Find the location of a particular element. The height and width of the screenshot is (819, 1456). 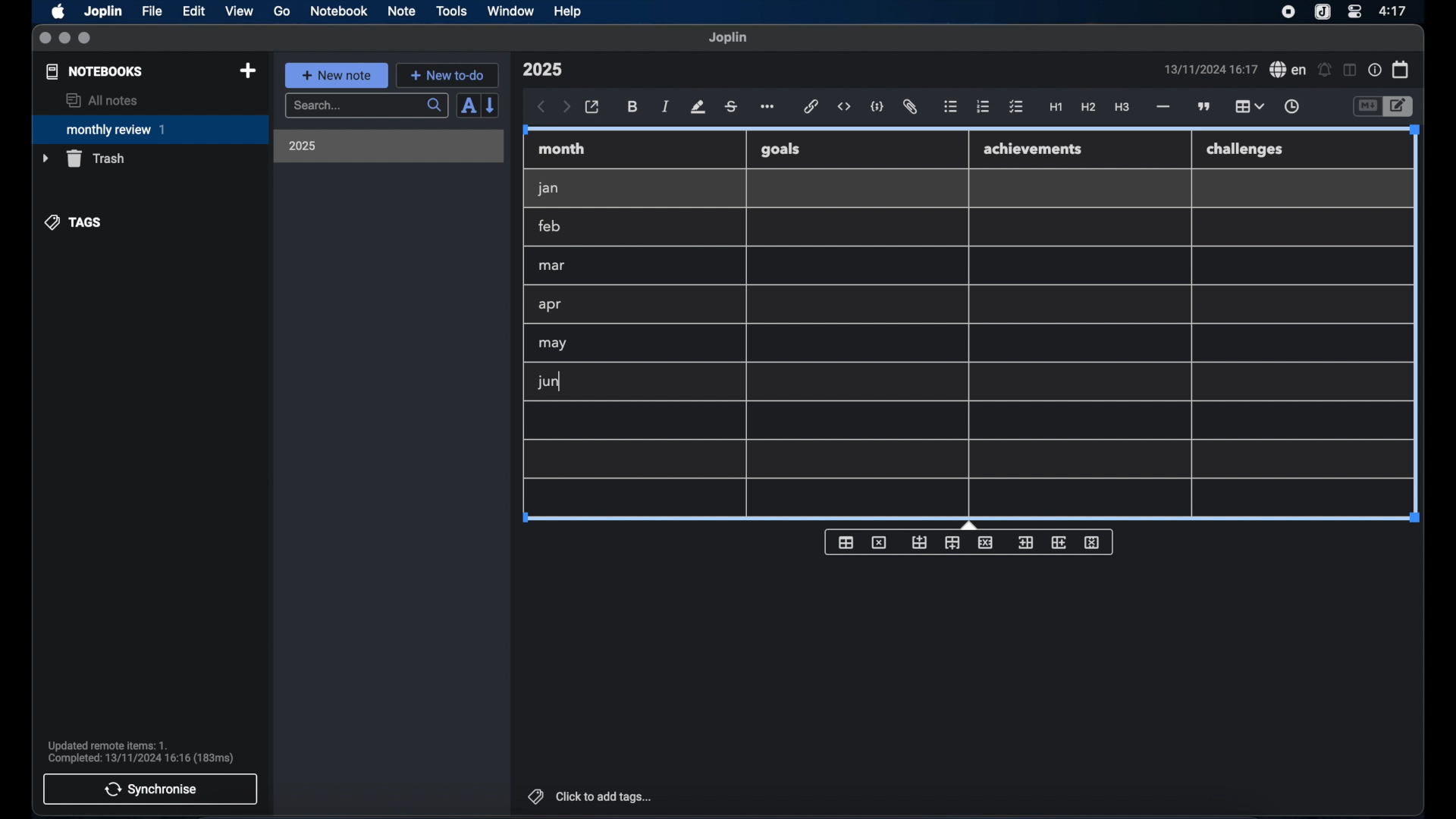

mar is located at coordinates (553, 266).